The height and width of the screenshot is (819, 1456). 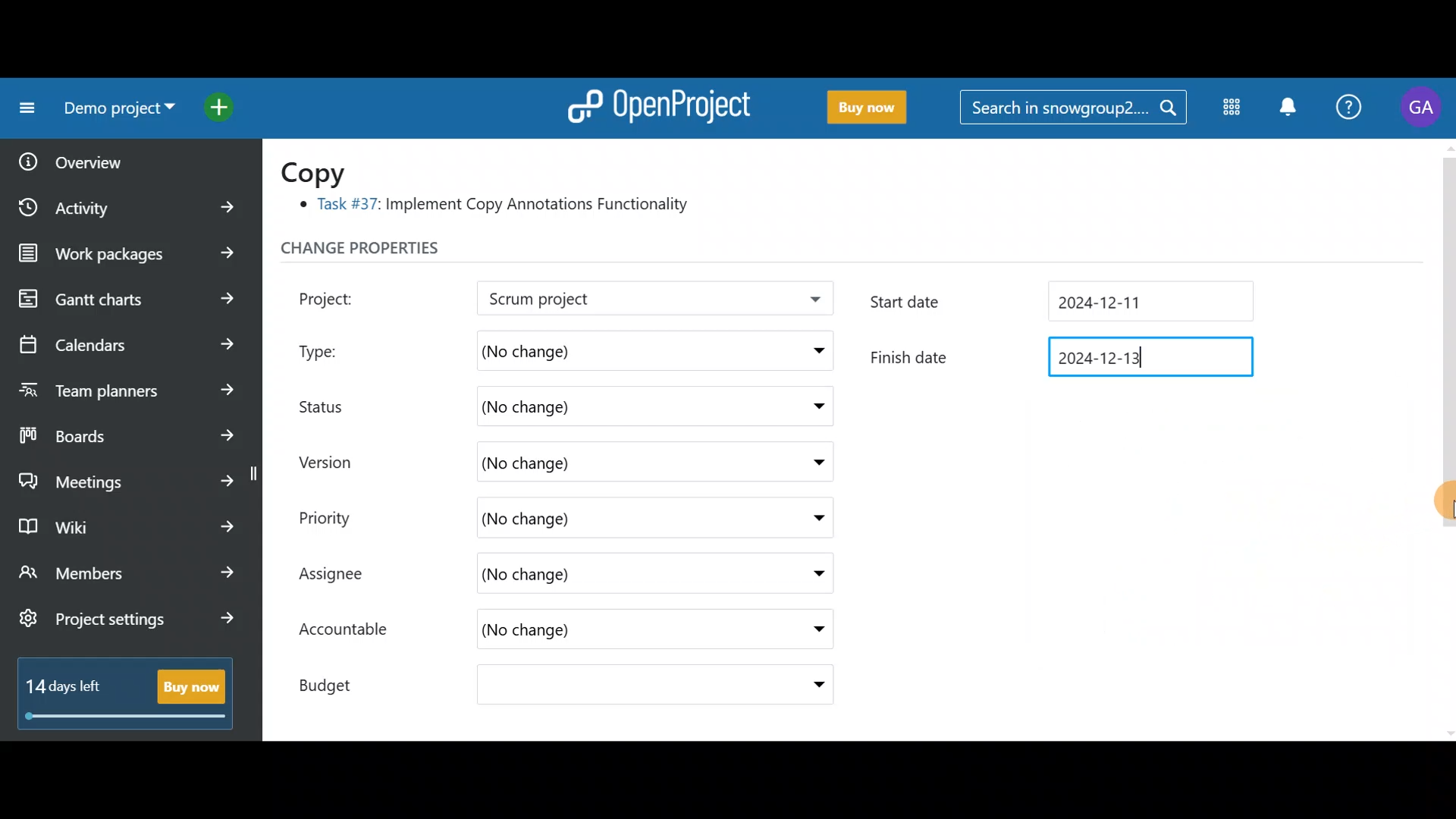 I want to click on (No change), so click(x=573, y=518).